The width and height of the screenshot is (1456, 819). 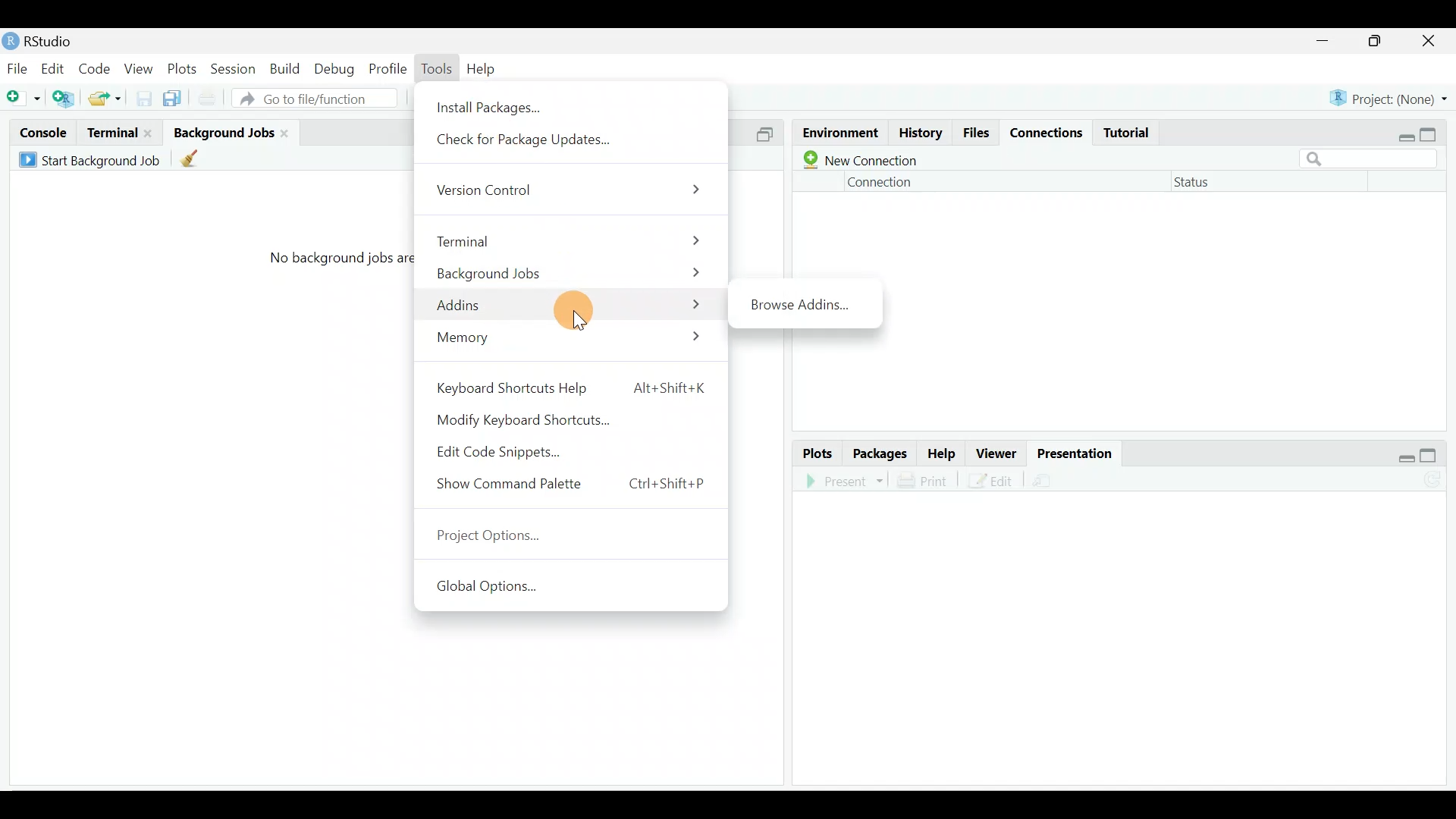 I want to click on Session, so click(x=237, y=70).